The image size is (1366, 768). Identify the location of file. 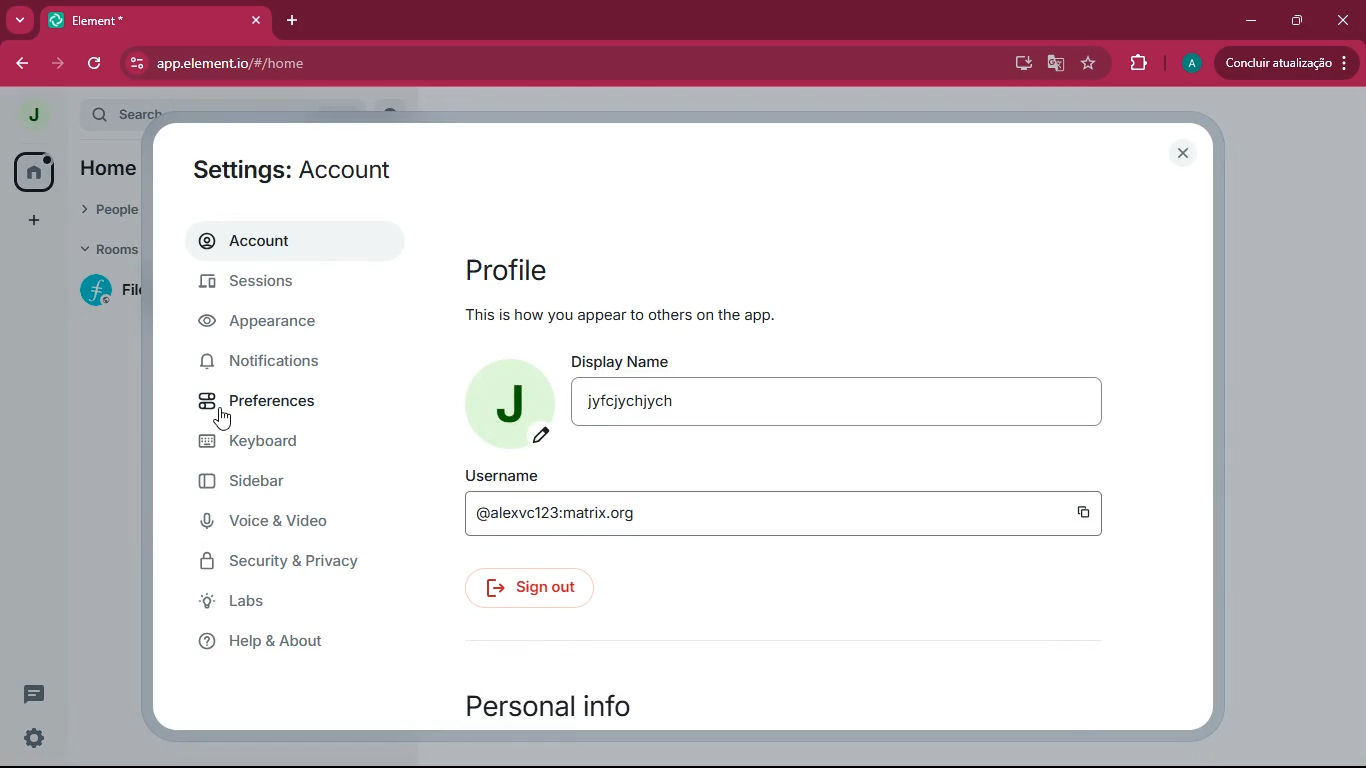
(114, 290).